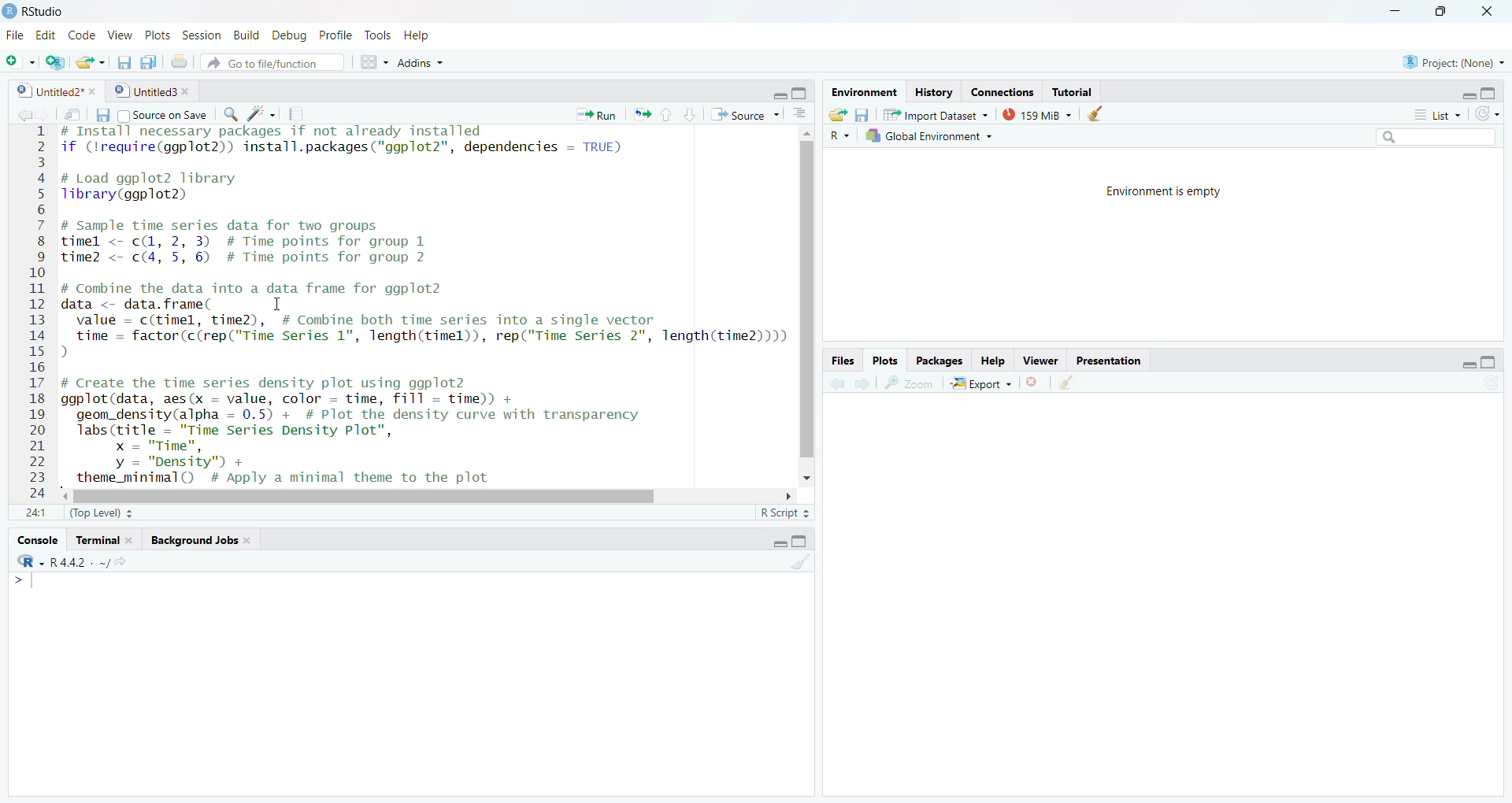 The height and width of the screenshot is (803, 1512). I want to click on Addins , so click(420, 64).